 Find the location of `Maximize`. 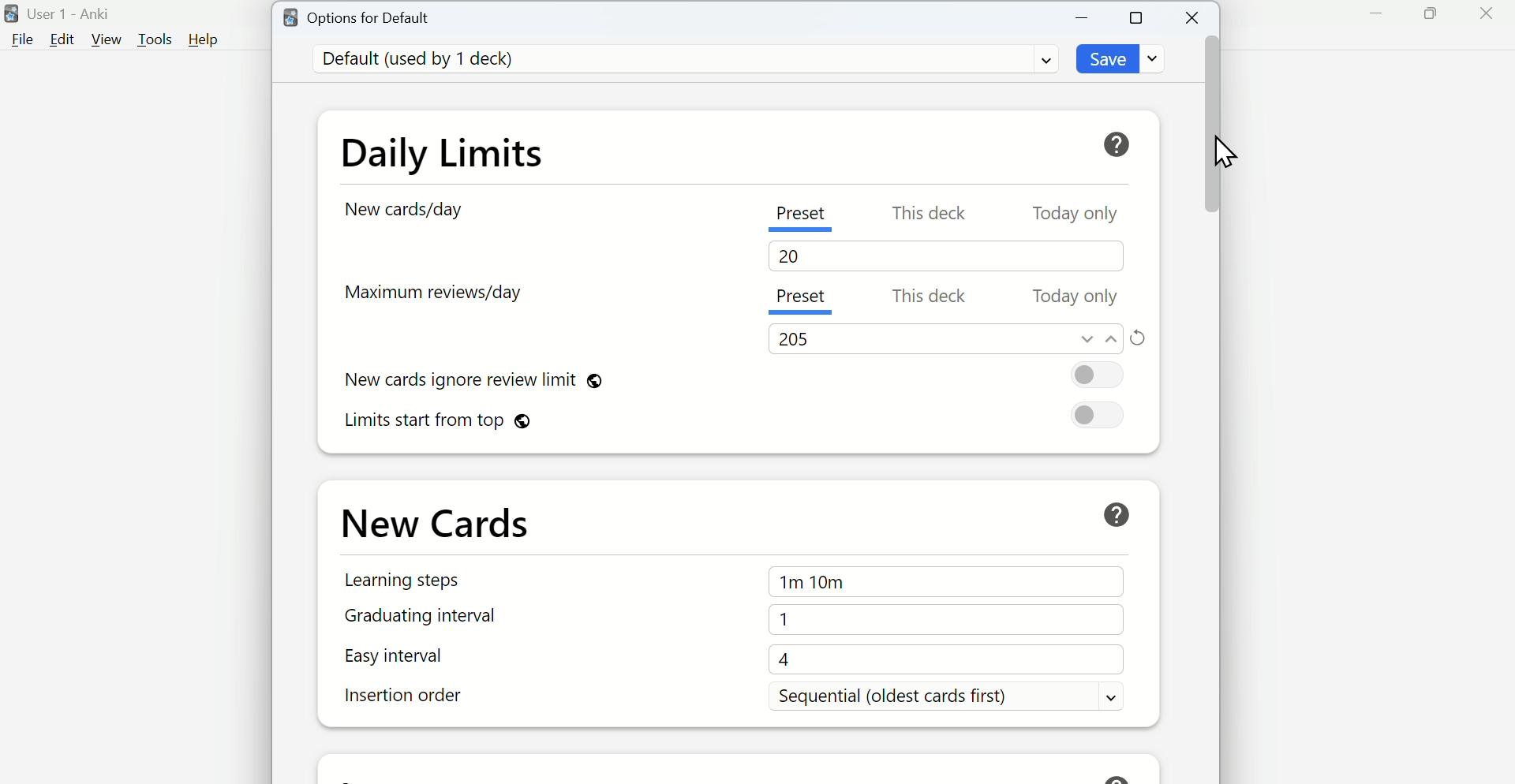

Maximize is located at coordinates (1137, 17).